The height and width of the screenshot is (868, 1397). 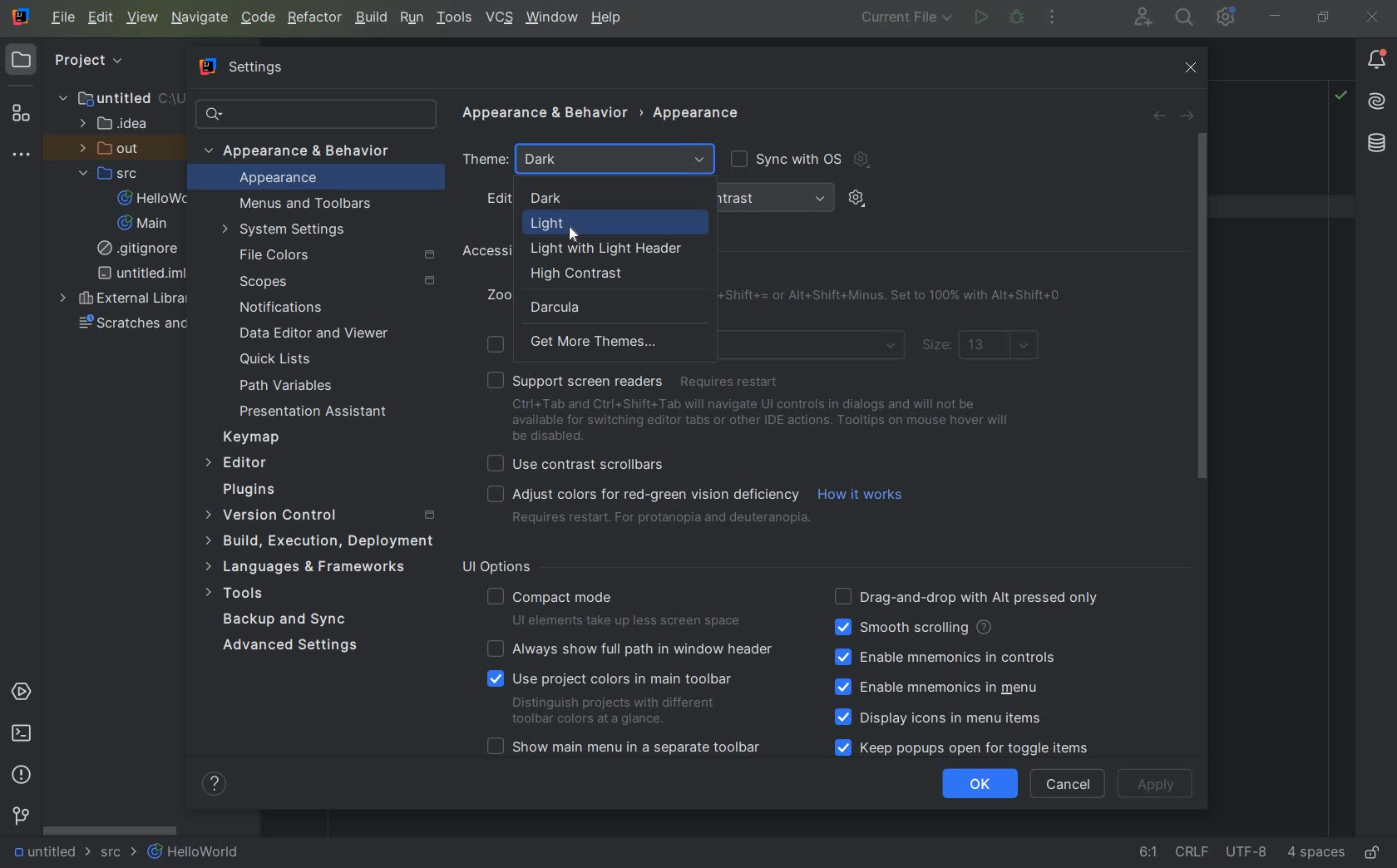 I want to click on minimize, so click(x=1273, y=16).